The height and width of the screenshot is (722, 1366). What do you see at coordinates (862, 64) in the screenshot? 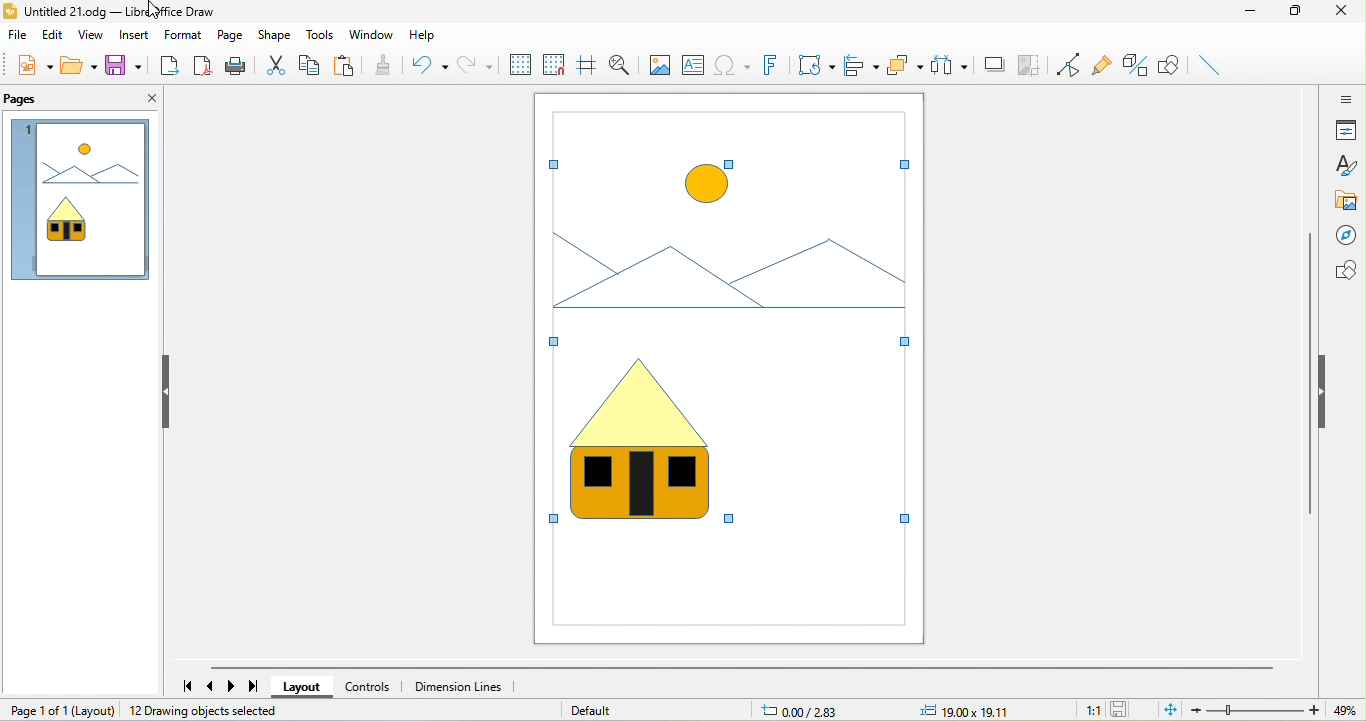
I see `align objects` at bounding box center [862, 64].